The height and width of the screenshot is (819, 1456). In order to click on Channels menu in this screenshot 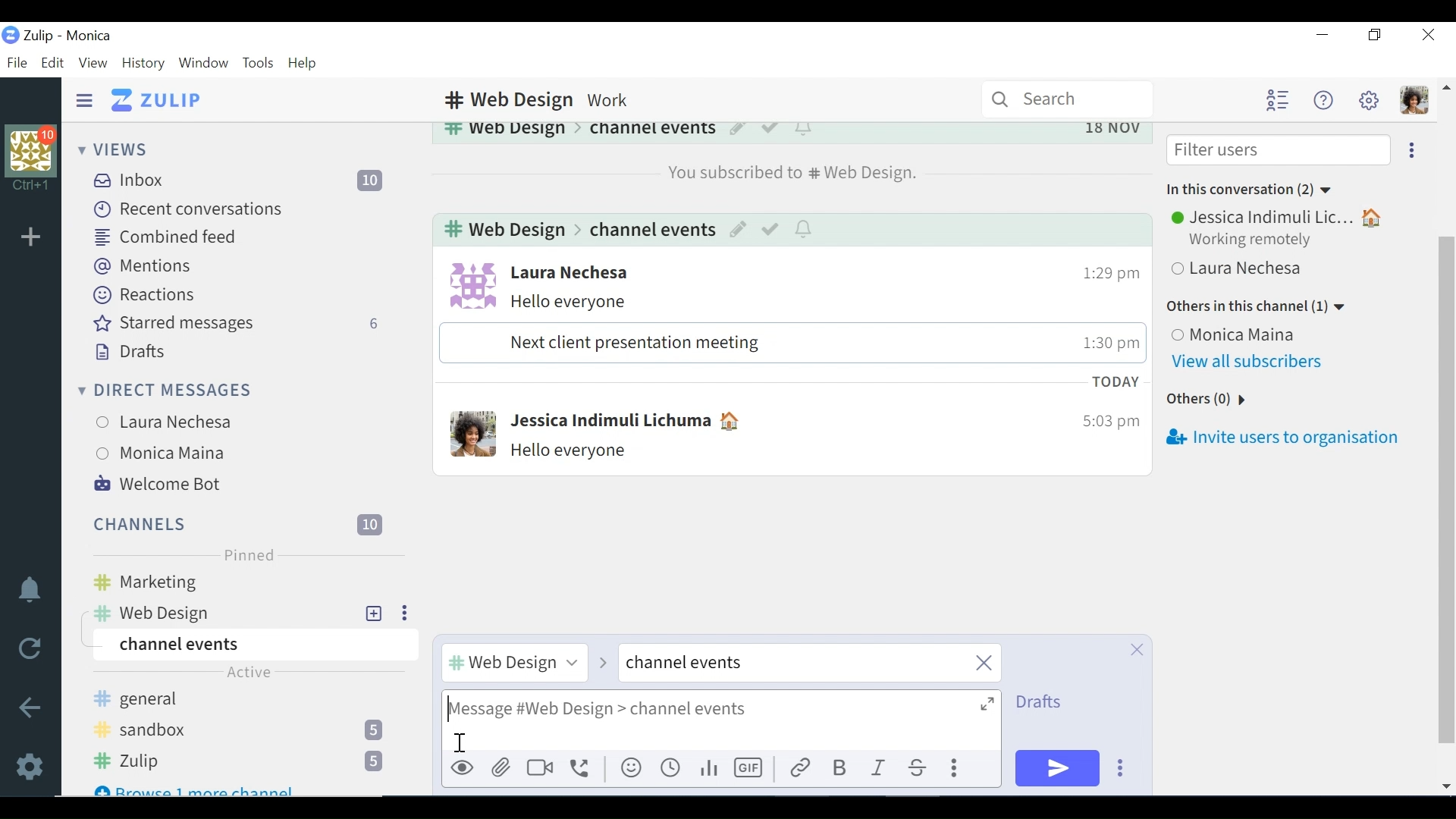, I will do `click(235, 522)`.